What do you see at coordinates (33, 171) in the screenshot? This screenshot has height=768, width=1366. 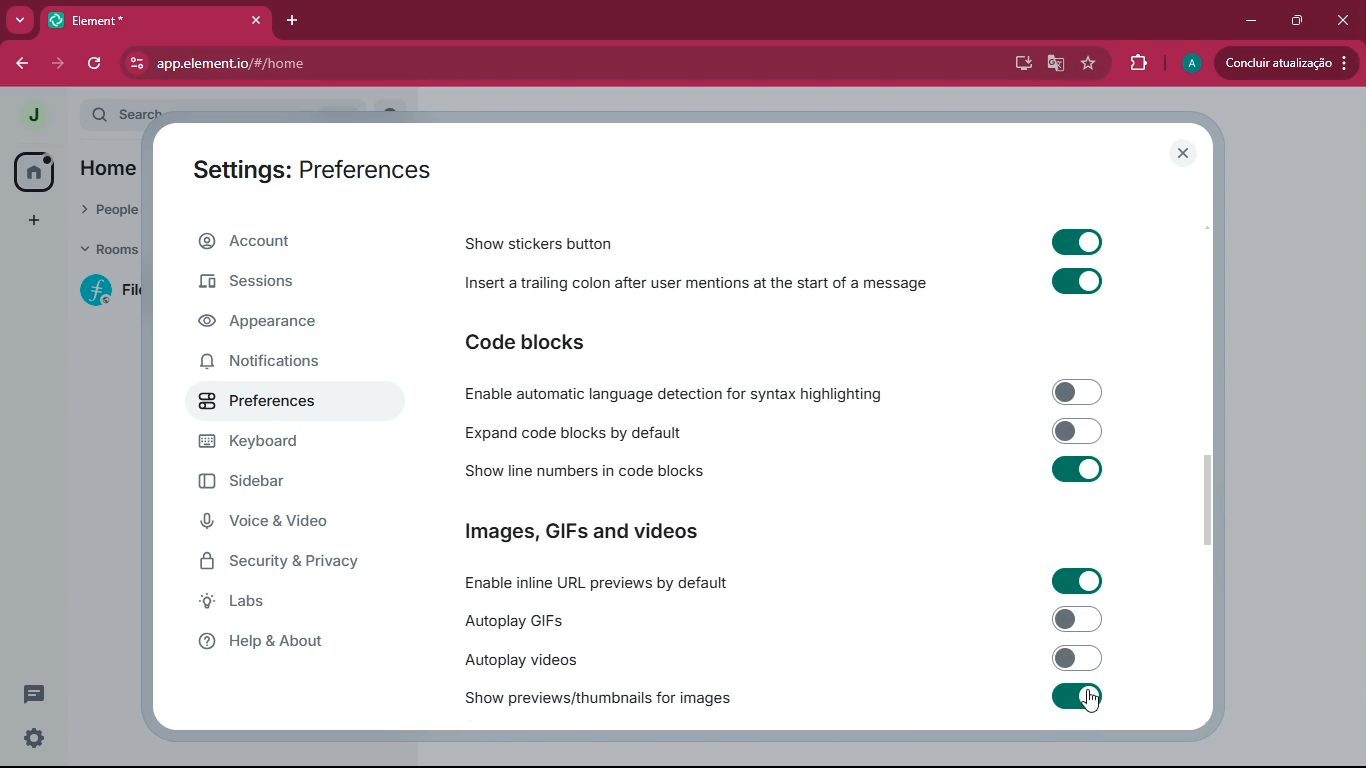 I see `home` at bounding box center [33, 171].